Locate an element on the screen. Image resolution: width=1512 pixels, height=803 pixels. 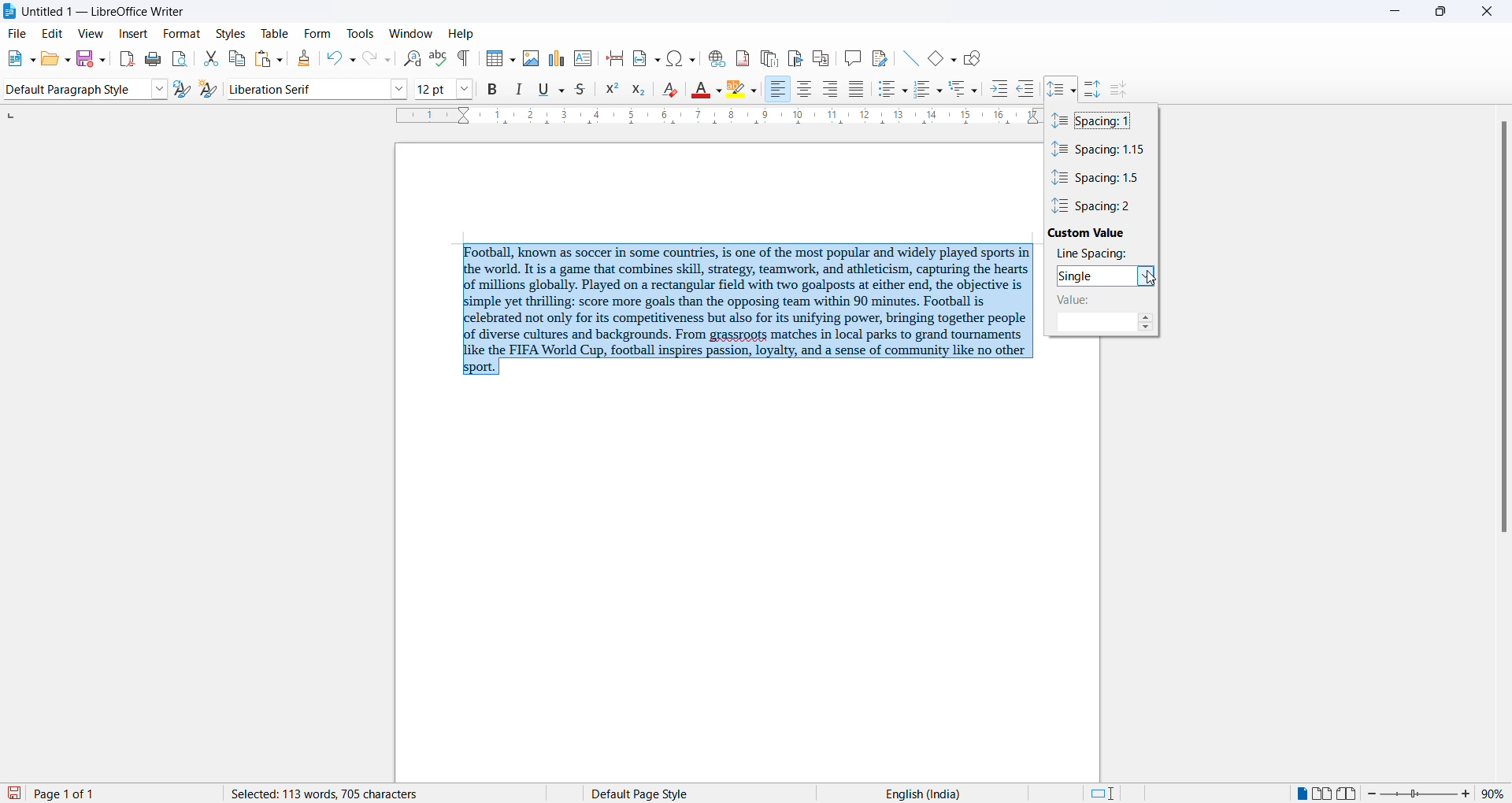
spacing value 2 is located at coordinates (1100, 206).